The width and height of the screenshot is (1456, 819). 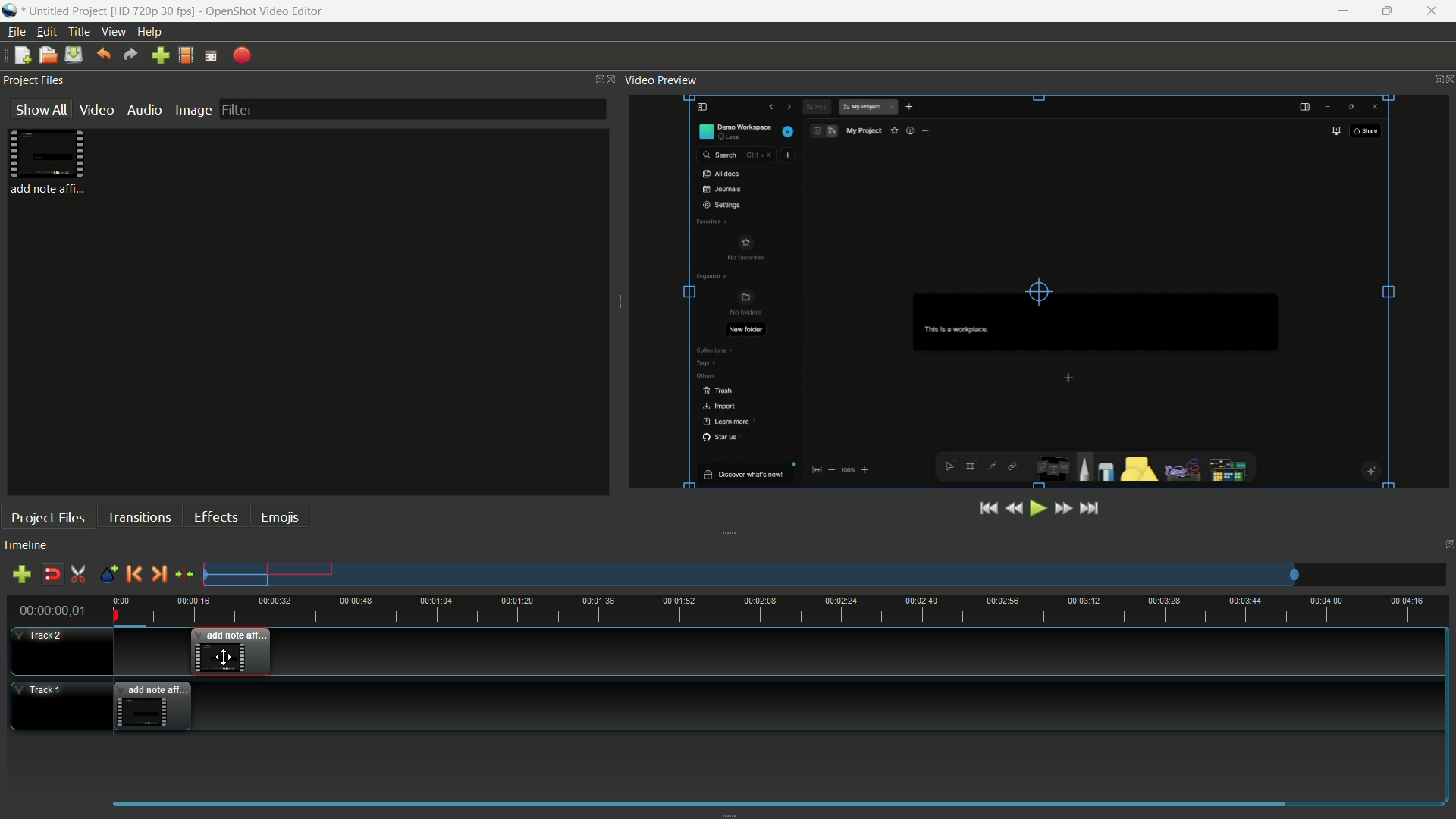 What do you see at coordinates (143, 110) in the screenshot?
I see `audio` at bounding box center [143, 110].